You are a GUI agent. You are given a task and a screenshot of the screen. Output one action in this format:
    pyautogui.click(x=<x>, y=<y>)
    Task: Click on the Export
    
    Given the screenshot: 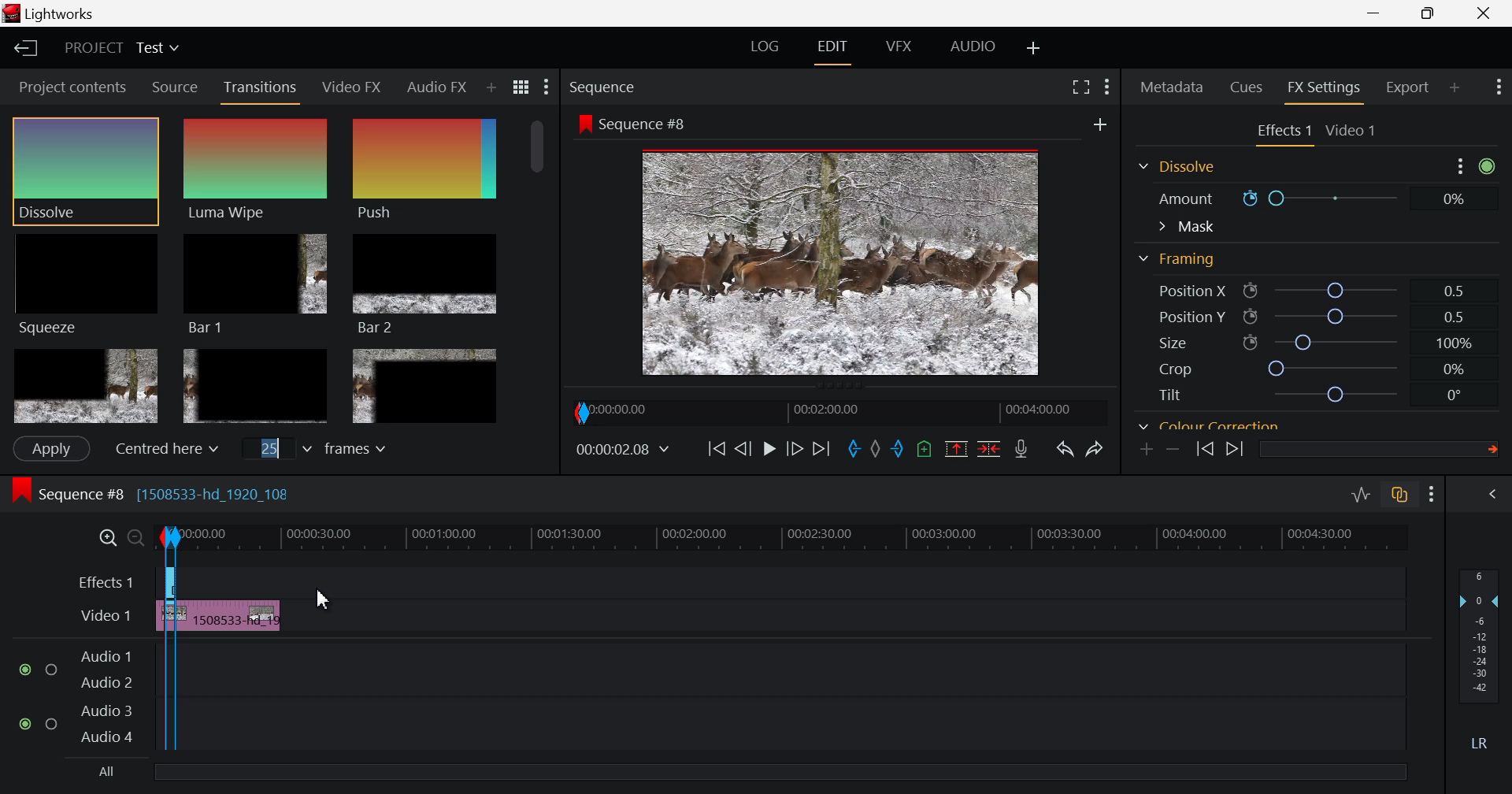 What is the action you would take?
    pyautogui.click(x=1409, y=87)
    